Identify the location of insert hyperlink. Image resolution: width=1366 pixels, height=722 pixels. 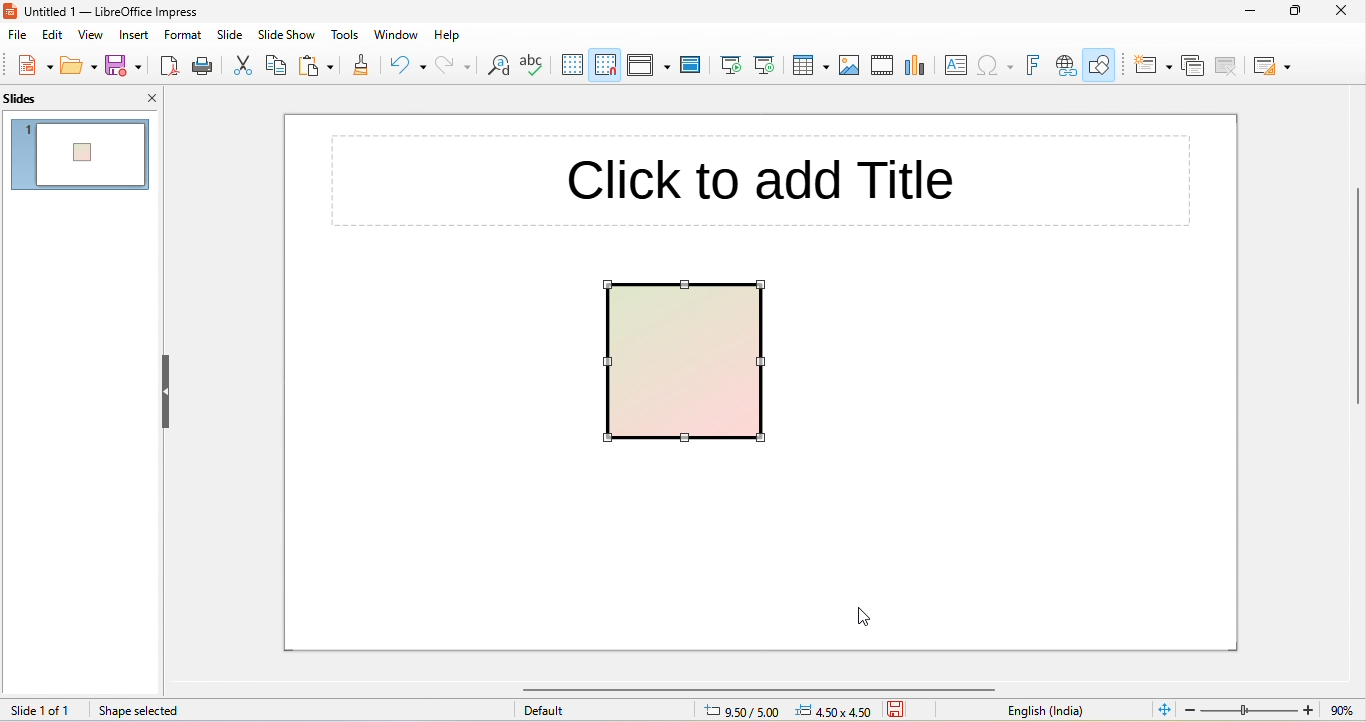
(1064, 66).